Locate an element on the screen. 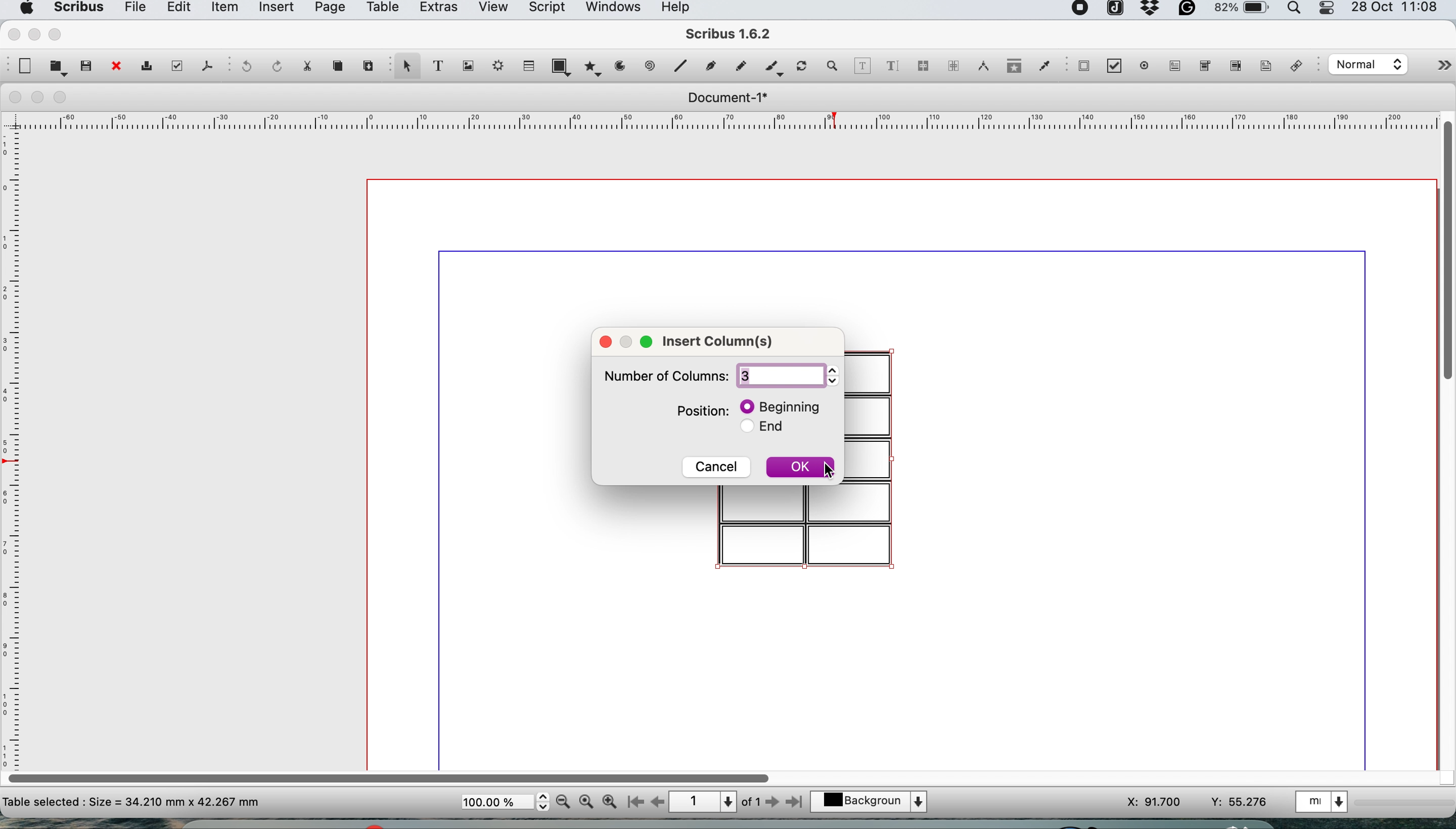 The image size is (1456, 829). battery is located at coordinates (1240, 11).